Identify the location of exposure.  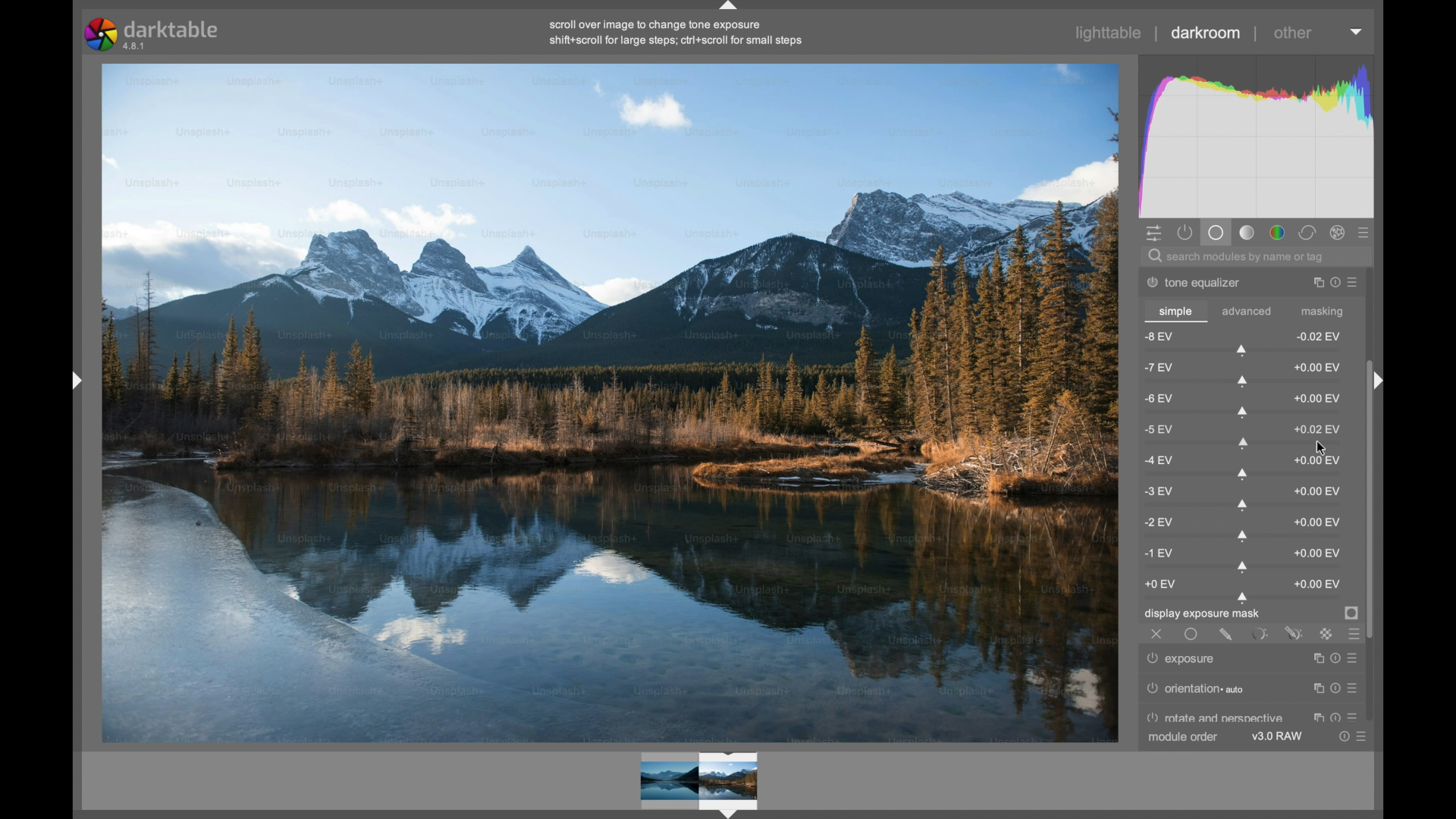
(1182, 659).